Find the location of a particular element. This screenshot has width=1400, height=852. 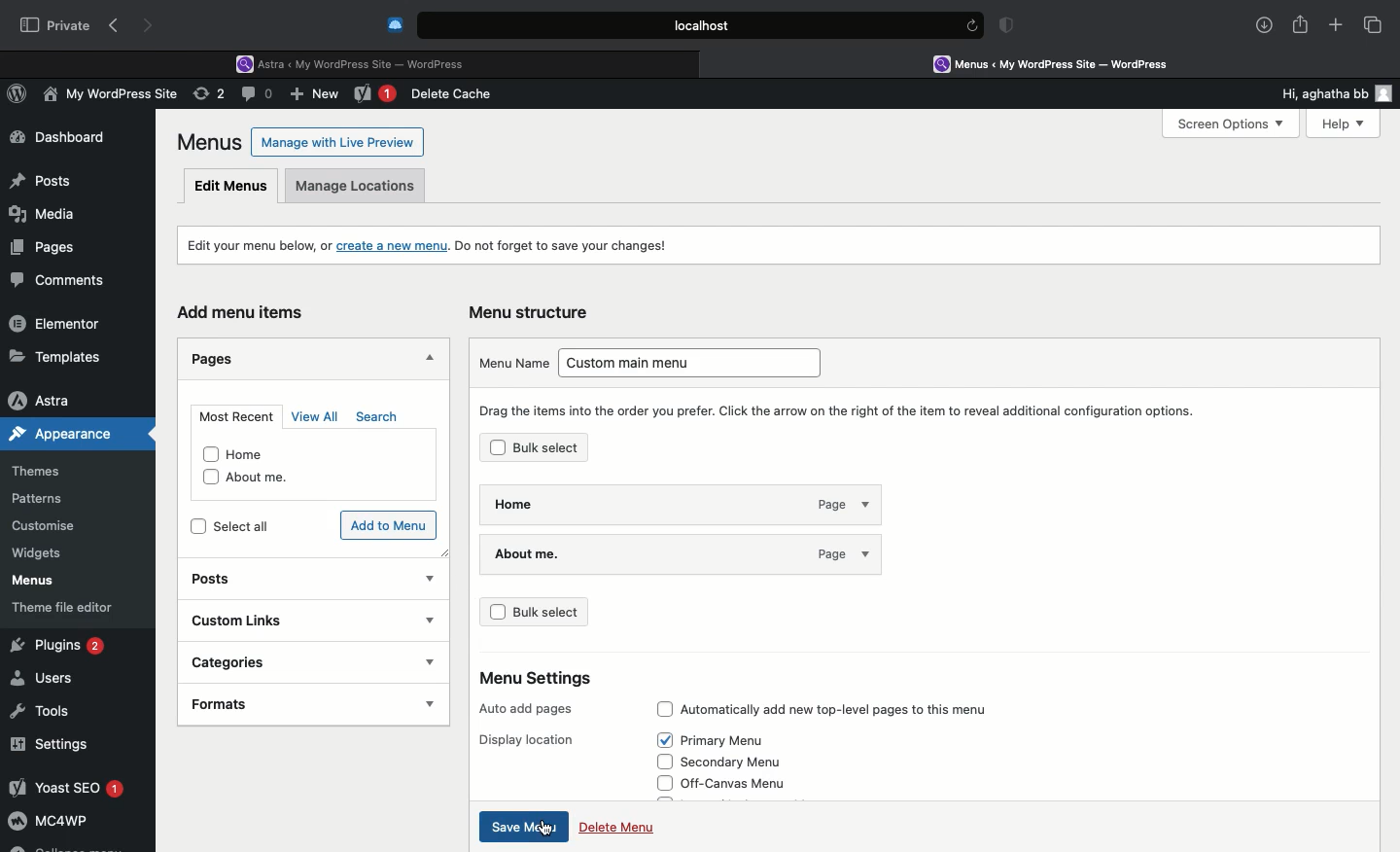

Edit menus is located at coordinates (232, 185).